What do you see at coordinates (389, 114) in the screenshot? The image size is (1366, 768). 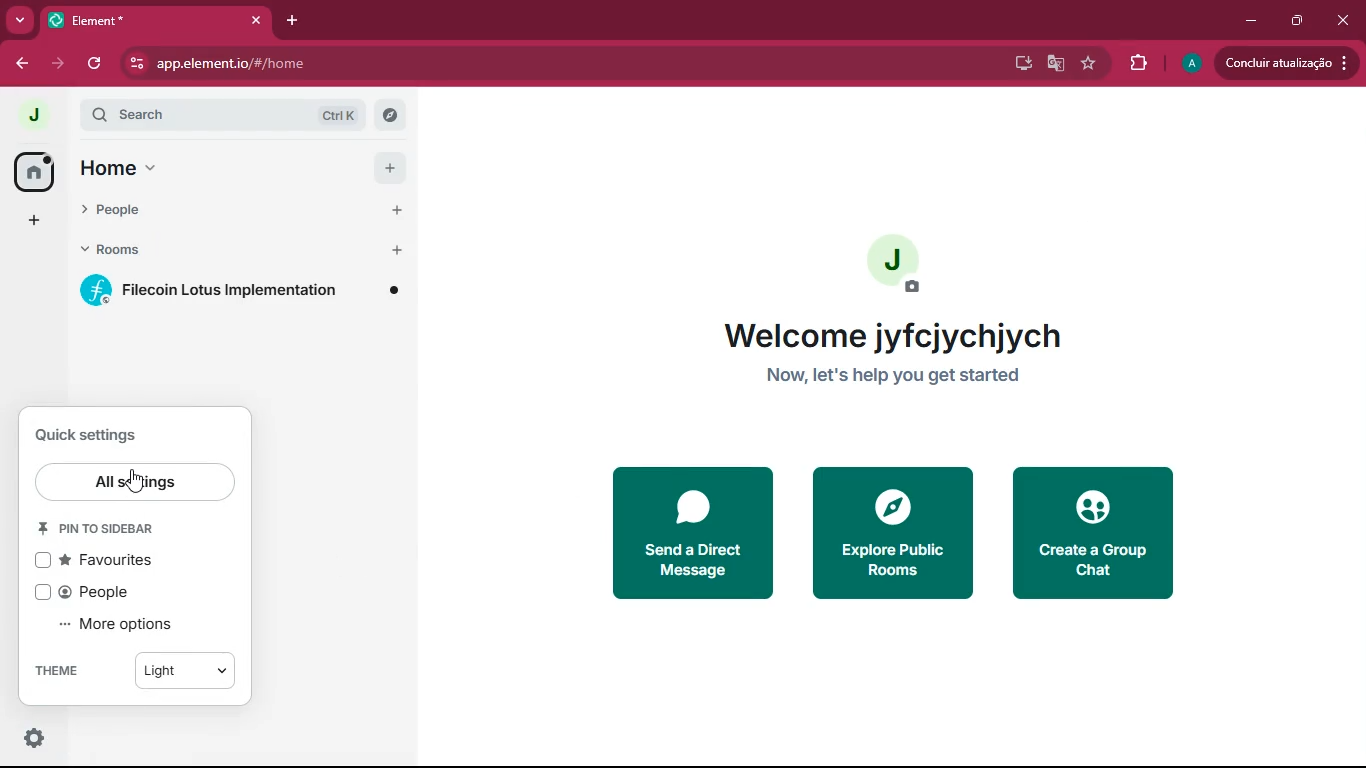 I see `explore room` at bounding box center [389, 114].